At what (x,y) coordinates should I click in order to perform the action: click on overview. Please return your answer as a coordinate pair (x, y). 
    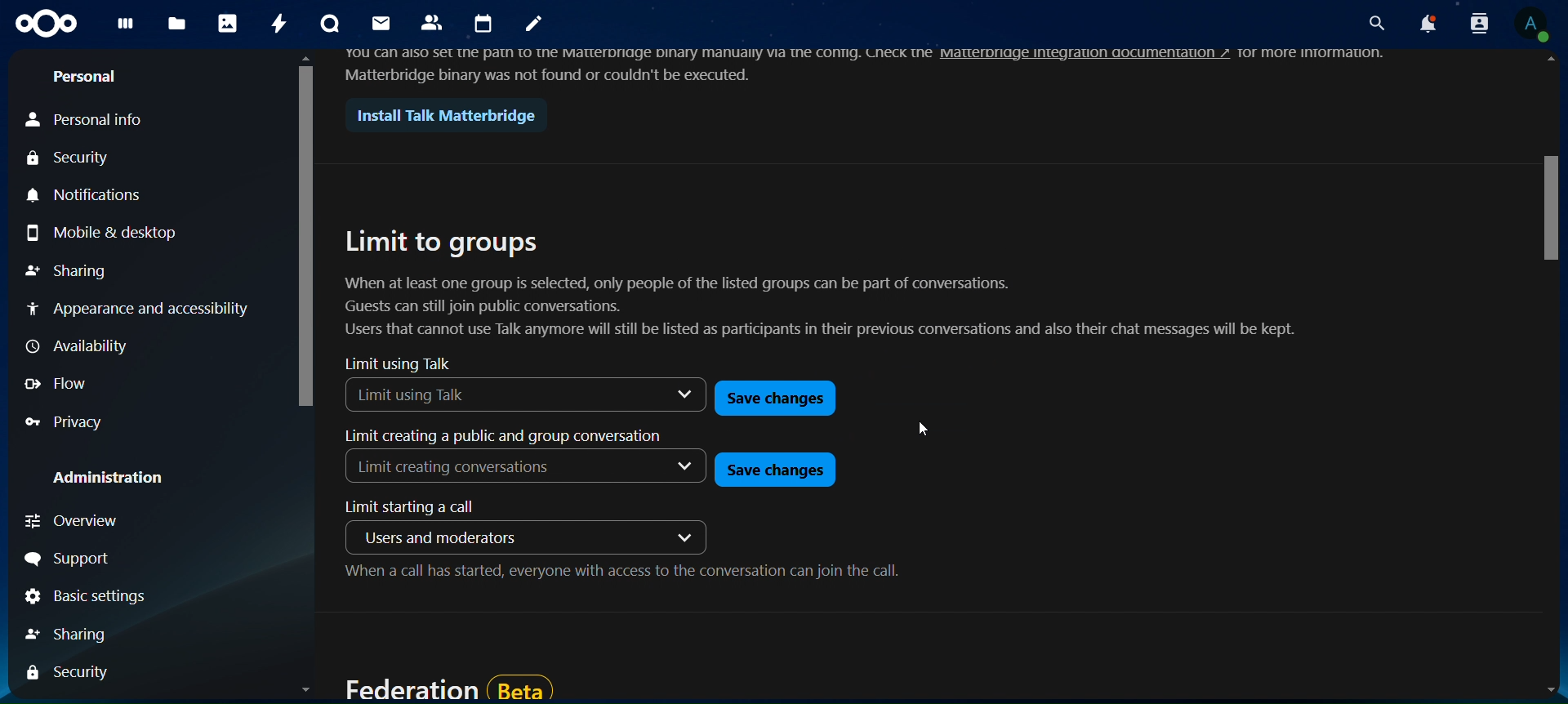
    Looking at the image, I should click on (77, 520).